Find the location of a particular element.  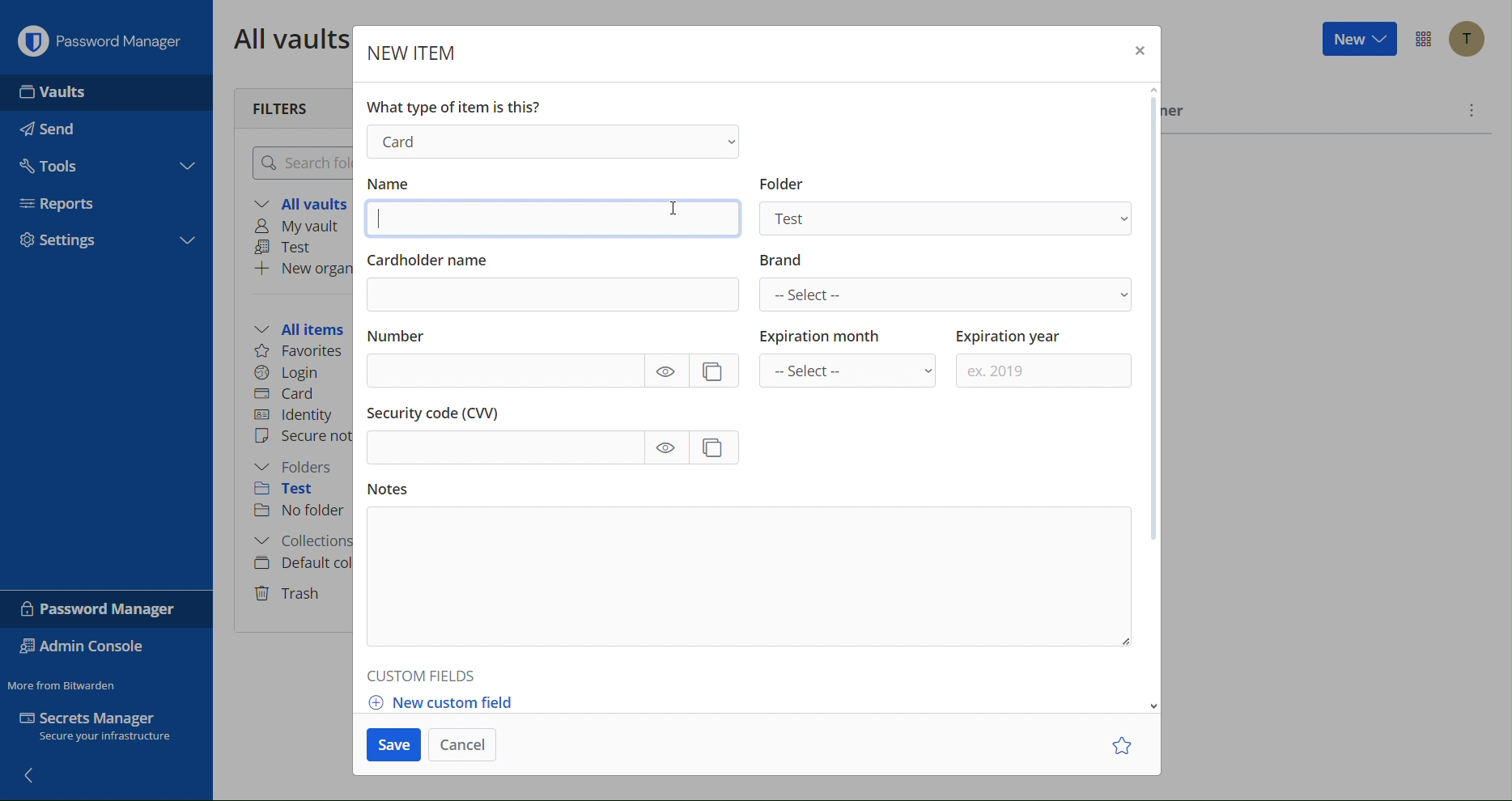

Search folder is located at coordinates (303, 162).